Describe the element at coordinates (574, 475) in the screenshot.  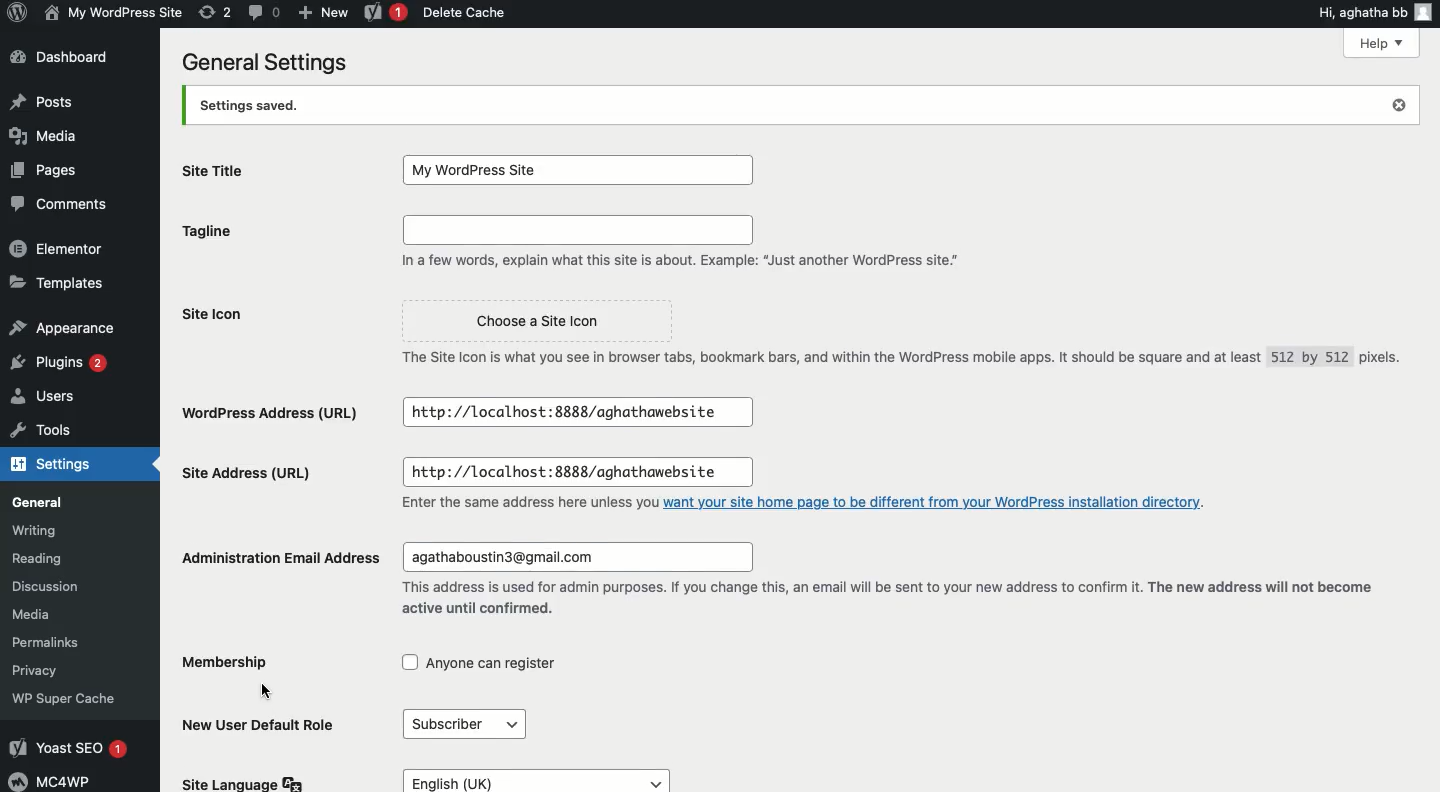
I see `http://localhost:8888/aghathawebsite` at that location.